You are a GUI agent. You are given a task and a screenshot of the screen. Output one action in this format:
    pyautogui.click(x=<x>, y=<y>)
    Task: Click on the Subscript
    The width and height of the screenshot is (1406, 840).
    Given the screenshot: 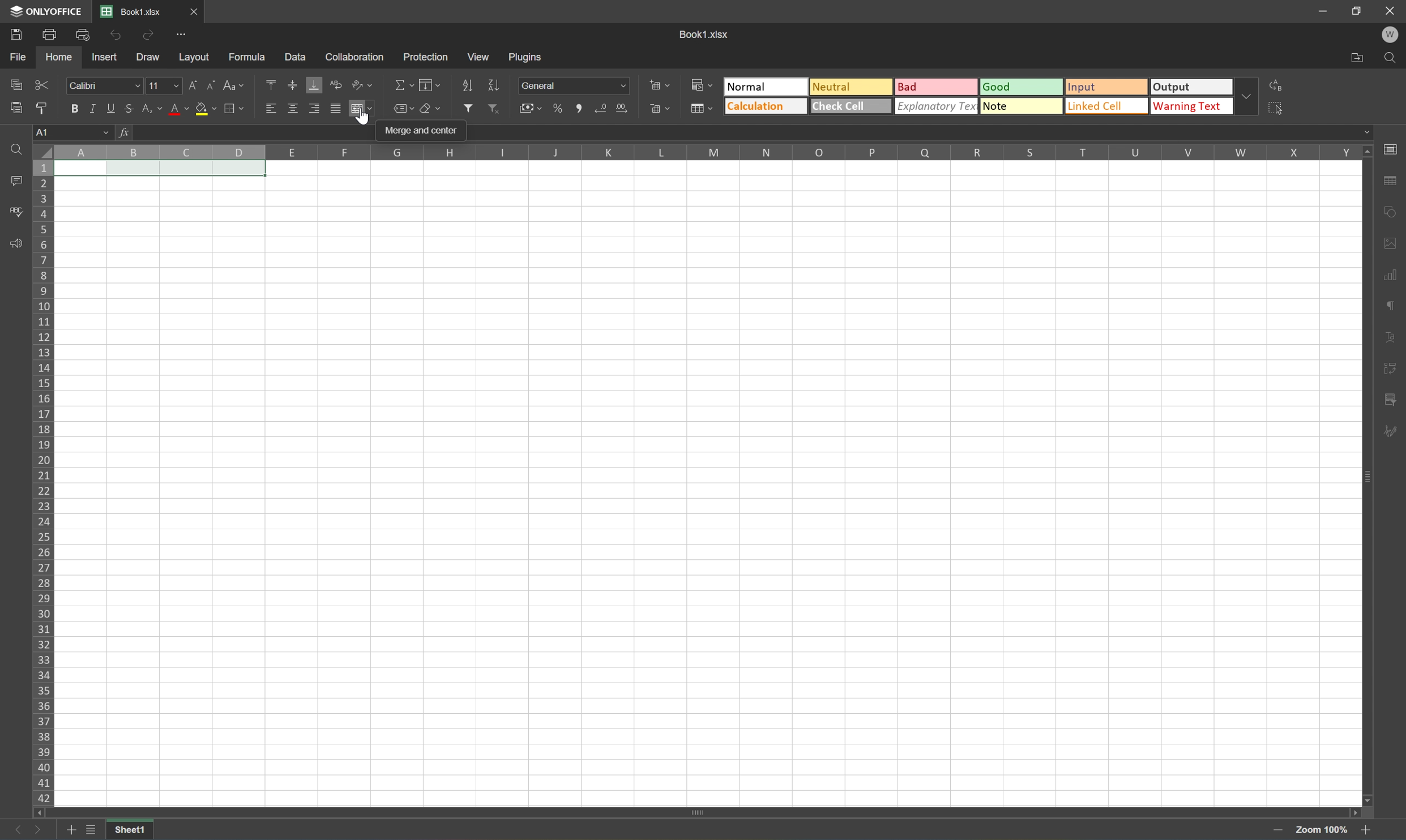 What is the action you would take?
    pyautogui.click(x=153, y=109)
    